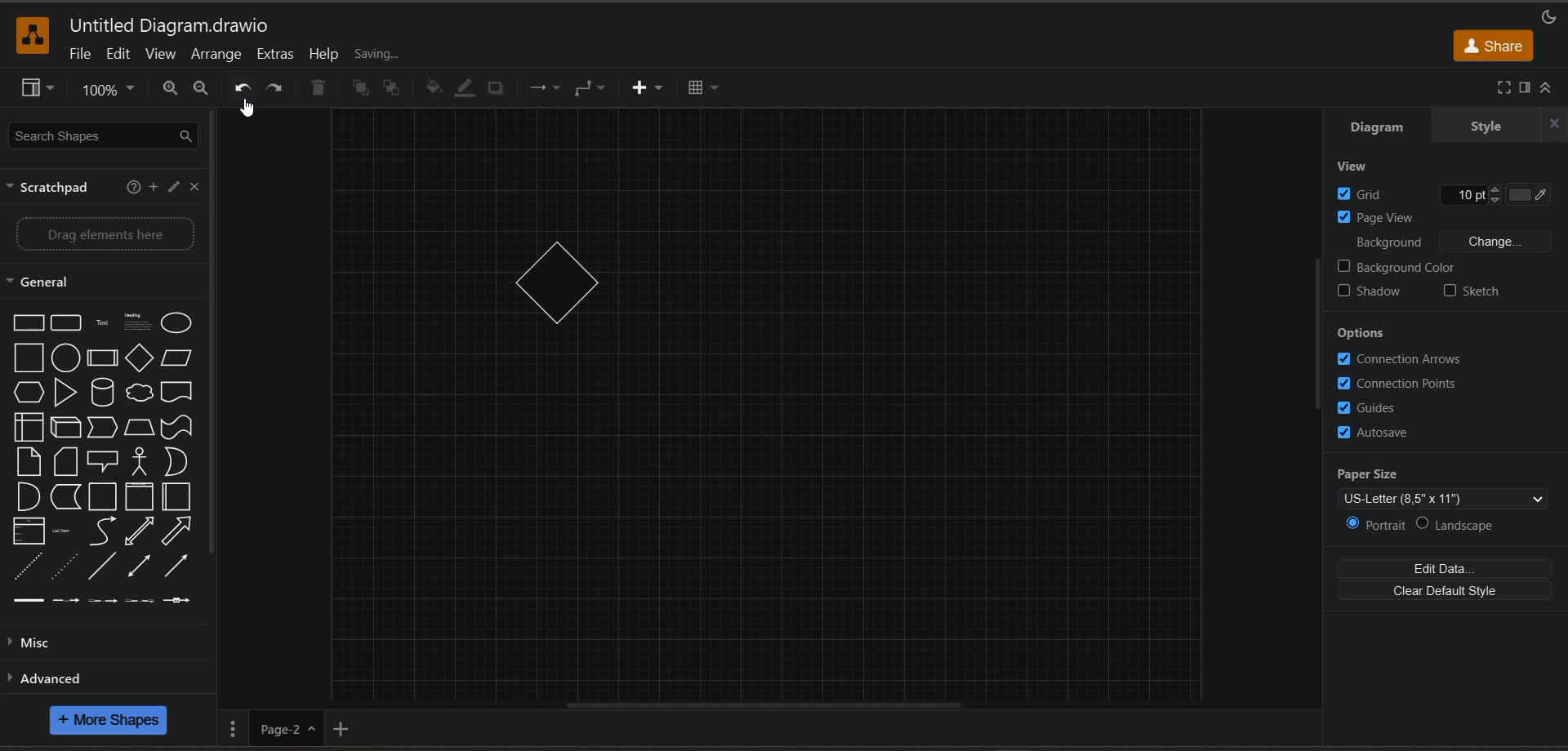 This screenshot has height=751, width=1568. I want to click on close, so click(1553, 123).